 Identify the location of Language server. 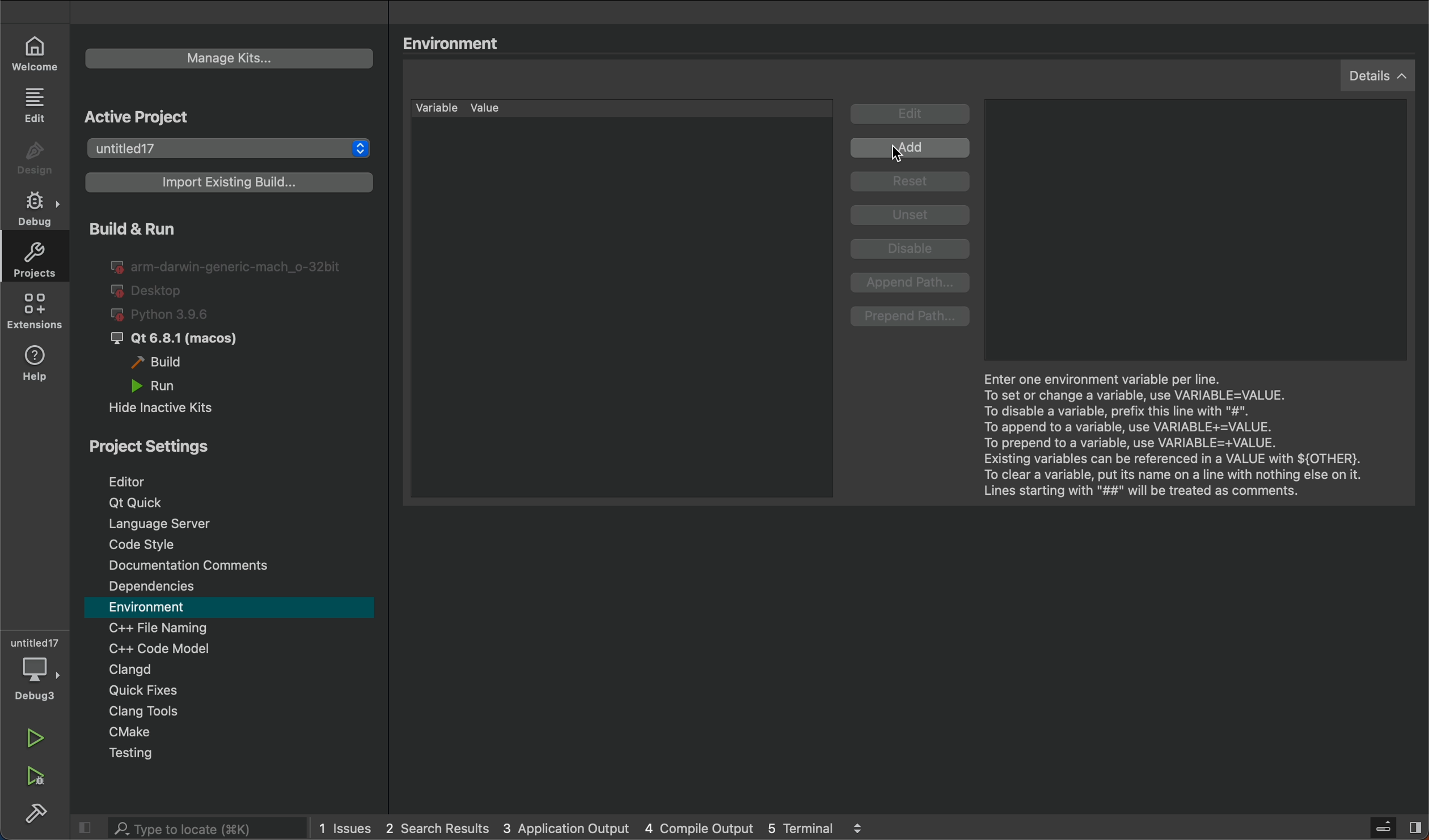
(232, 523).